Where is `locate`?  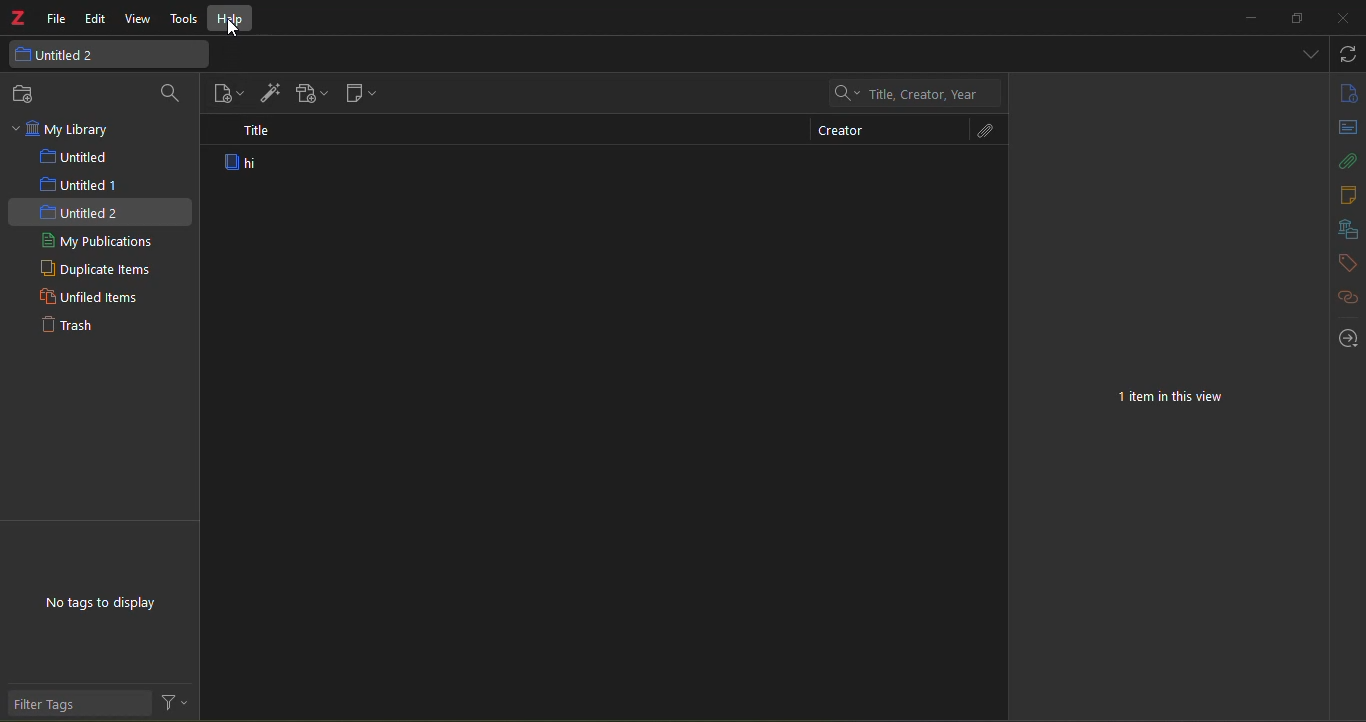 locate is located at coordinates (1348, 338).